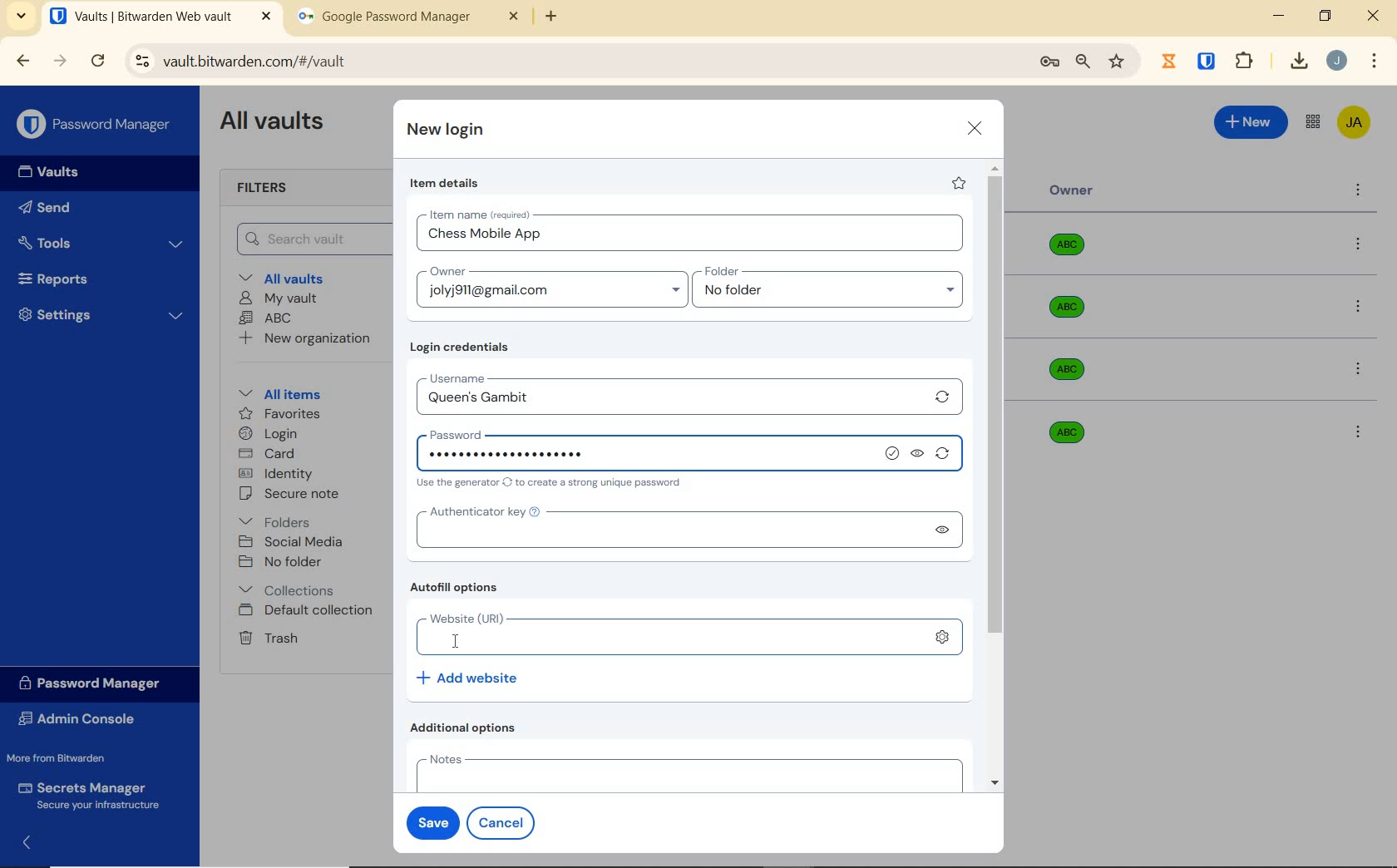 Image resolution: width=1397 pixels, height=868 pixels. Describe the element at coordinates (277, 392) in the screenshot. I see `All items` at that location.